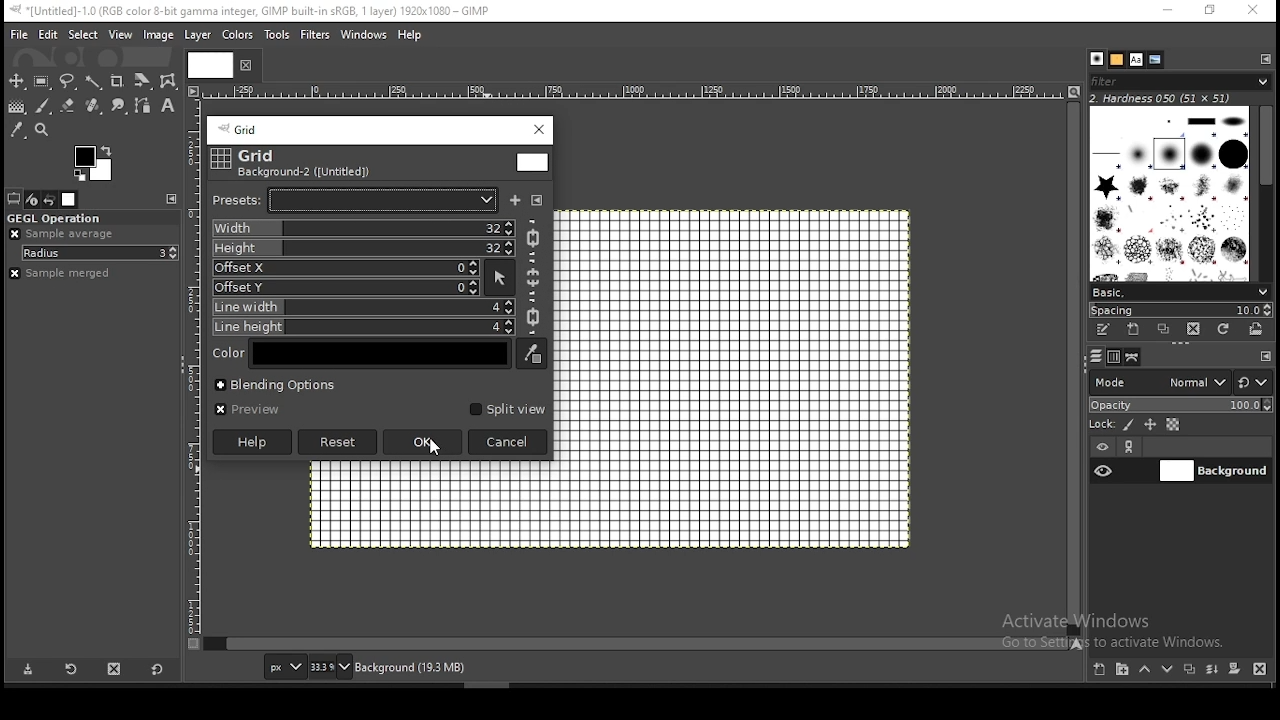 This screenshot has height=720, width=1280. I want to click on restore to defaults, so click(160, 669).